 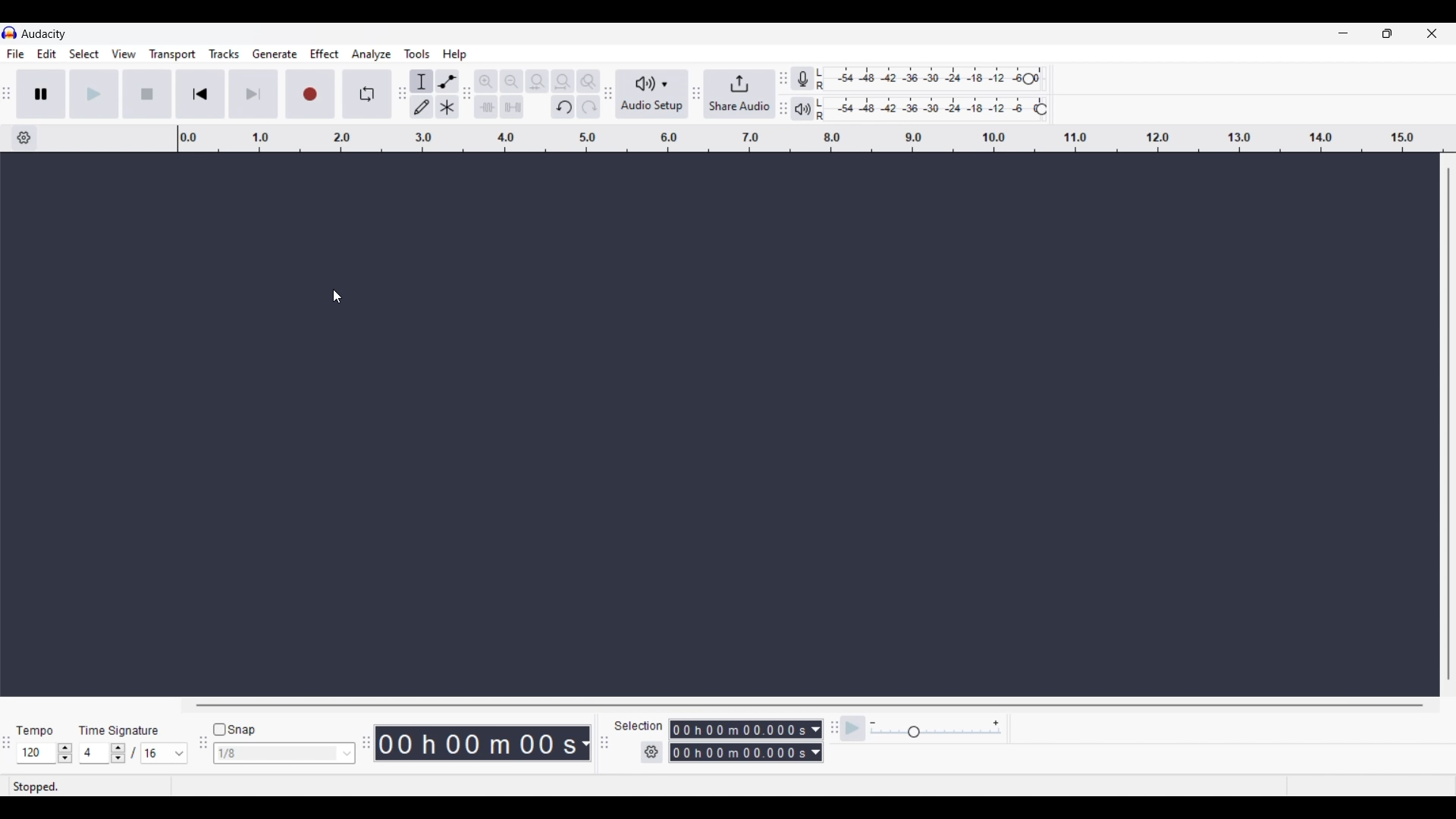 What do you see at coordinates (1028, 78) in the screenshot?
I see `Change recording level` at bounding box center [1028, 78].